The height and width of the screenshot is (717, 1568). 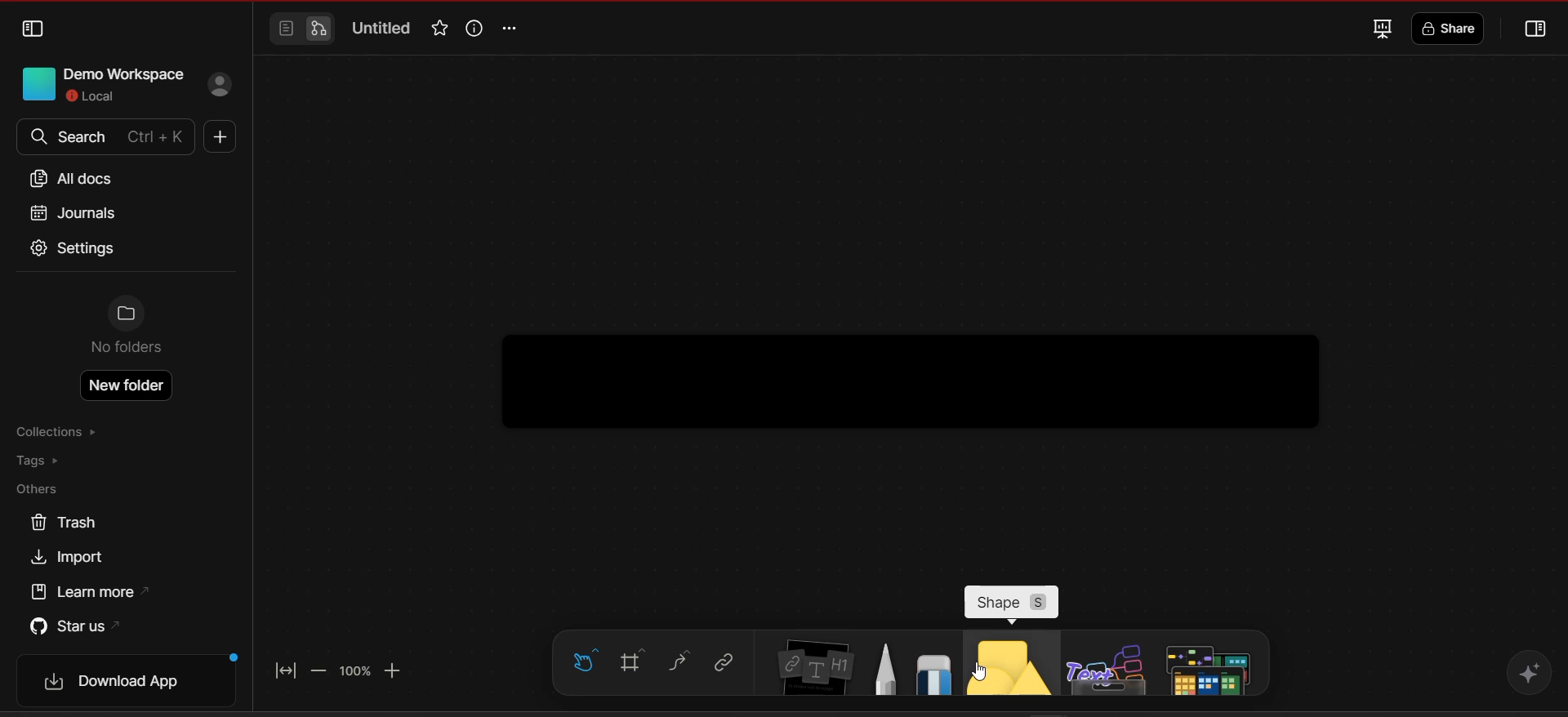 I want to click on fit to screen, so click(x=289, y=668).